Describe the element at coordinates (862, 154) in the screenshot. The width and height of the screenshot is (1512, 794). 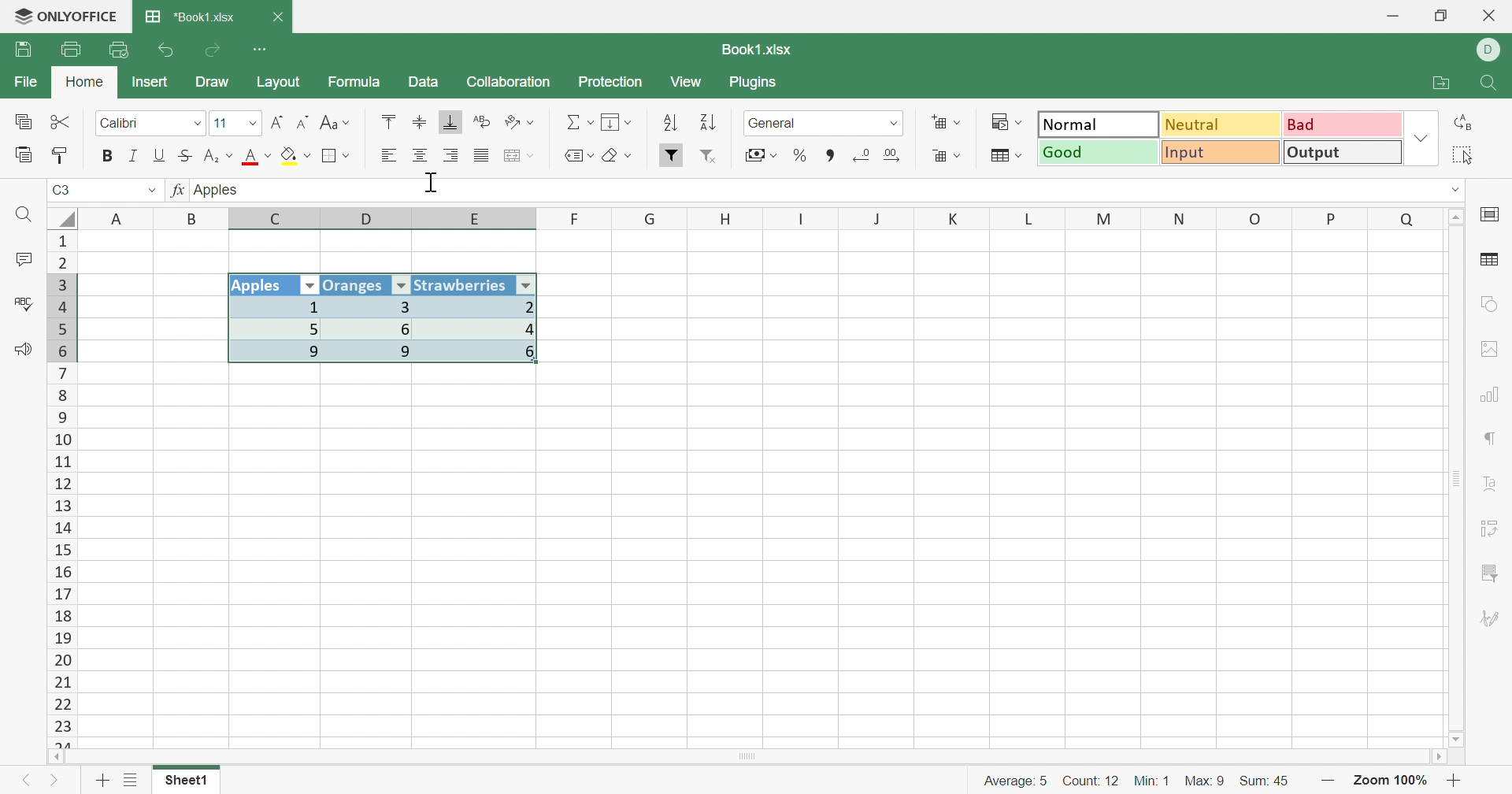
I see `Decrease decimals` at that location.